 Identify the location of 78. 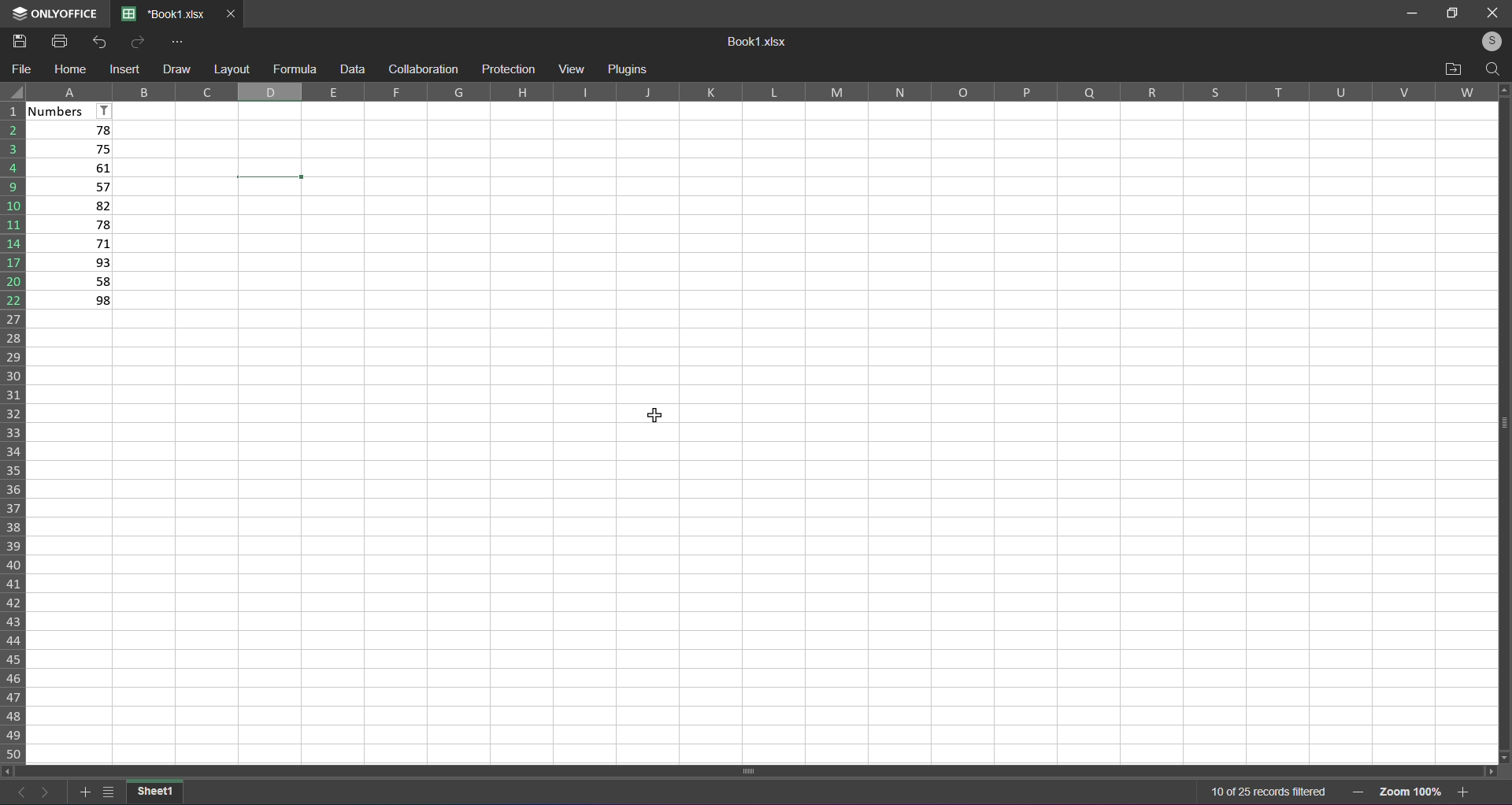
(72, 224).